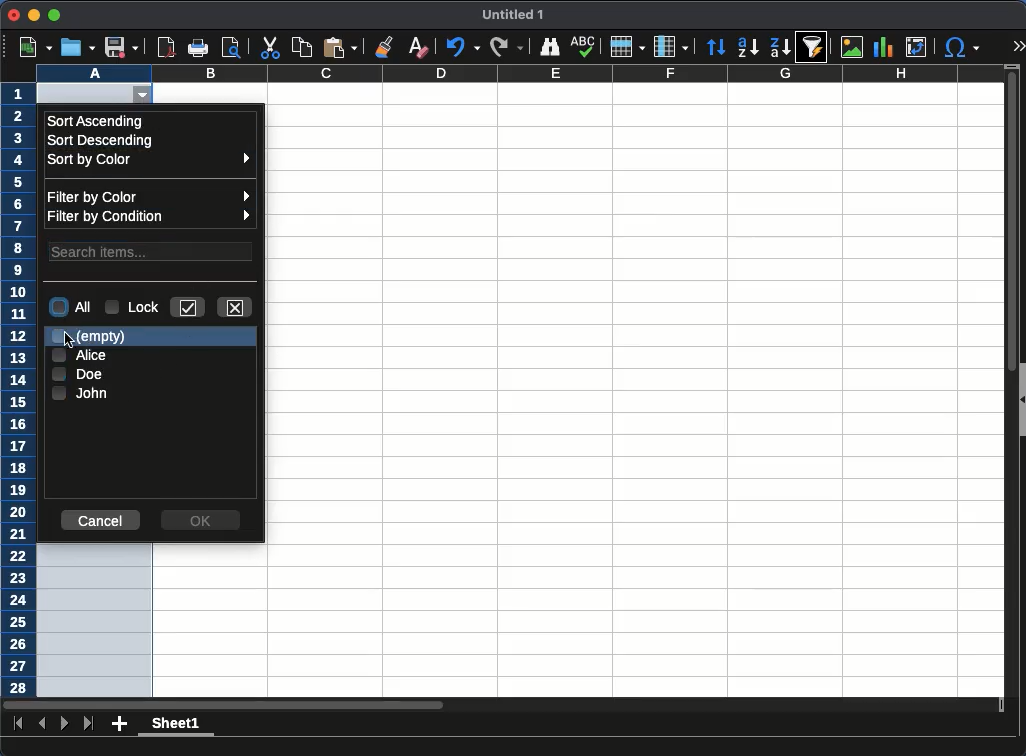 Image resolution: width=1026 pixels, height=756 pixels. Describe the element at coordinates (80, 394) in the screenshot. I see `john` at that location.